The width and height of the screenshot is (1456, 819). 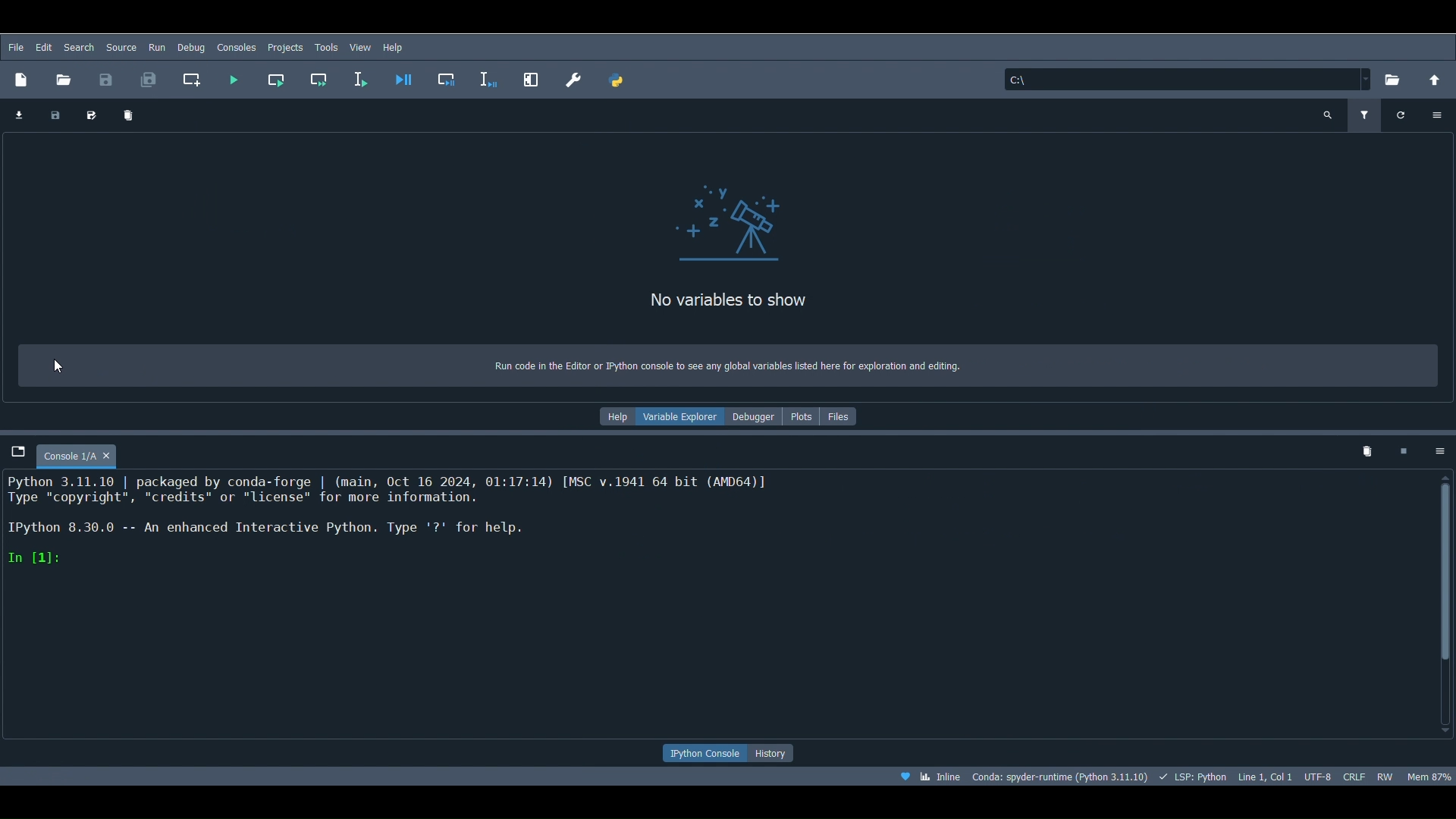 What do you see at coordinates (704, 754) in the screenshot?
I see `IPython console` at bounding box center [704, 754].